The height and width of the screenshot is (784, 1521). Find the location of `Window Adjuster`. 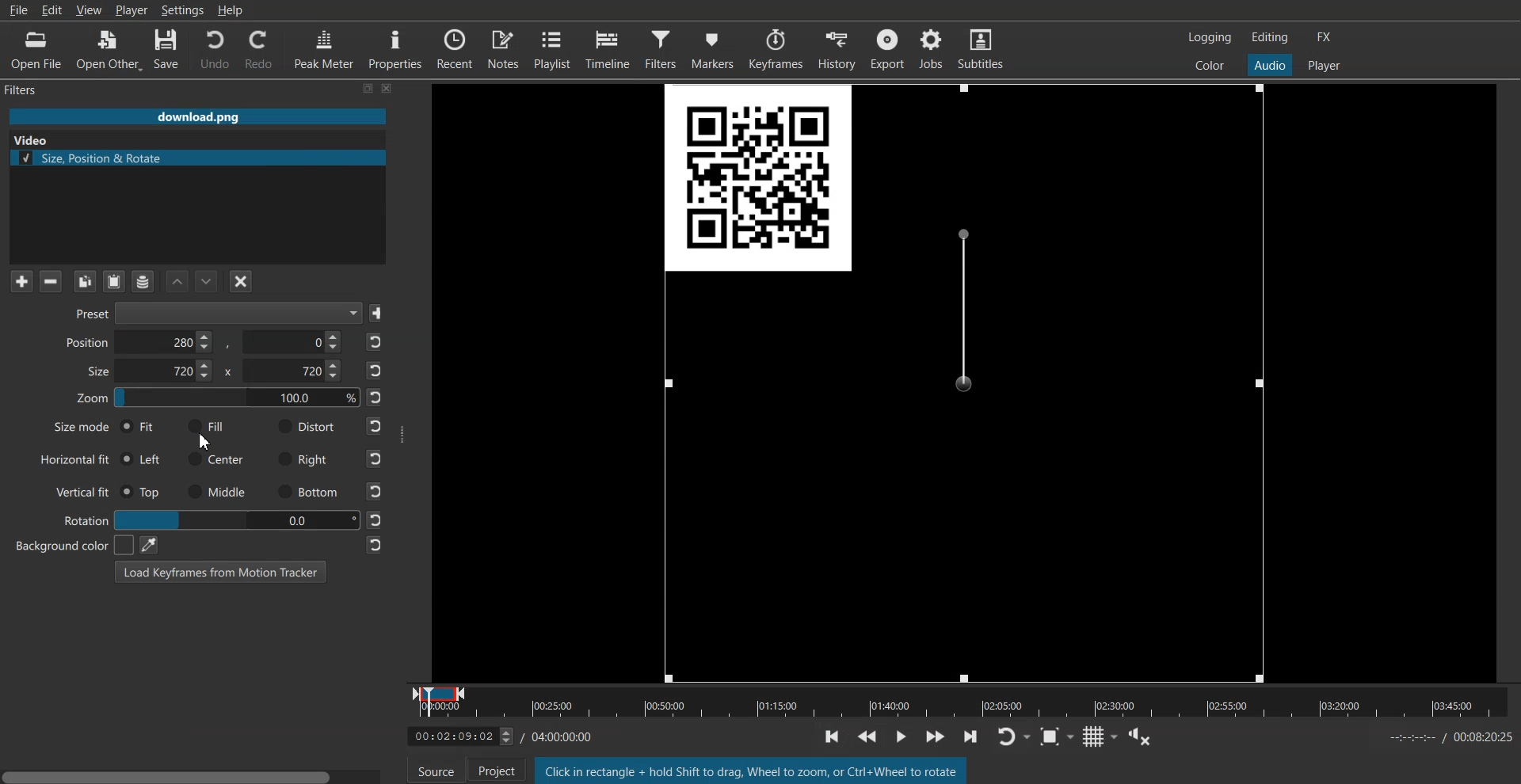

Window Adjuster is located at coordinates (402, 433).